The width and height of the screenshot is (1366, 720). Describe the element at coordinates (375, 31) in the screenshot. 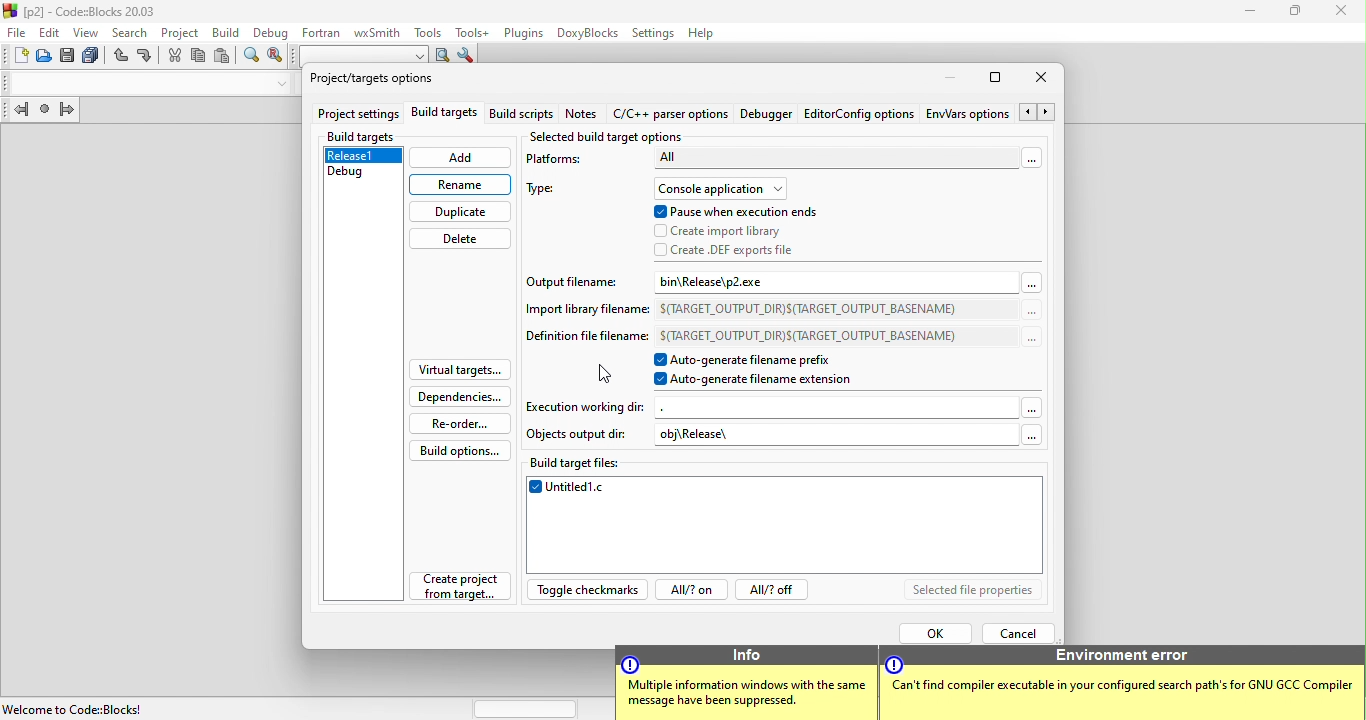

I see `wxsmith` at that location.